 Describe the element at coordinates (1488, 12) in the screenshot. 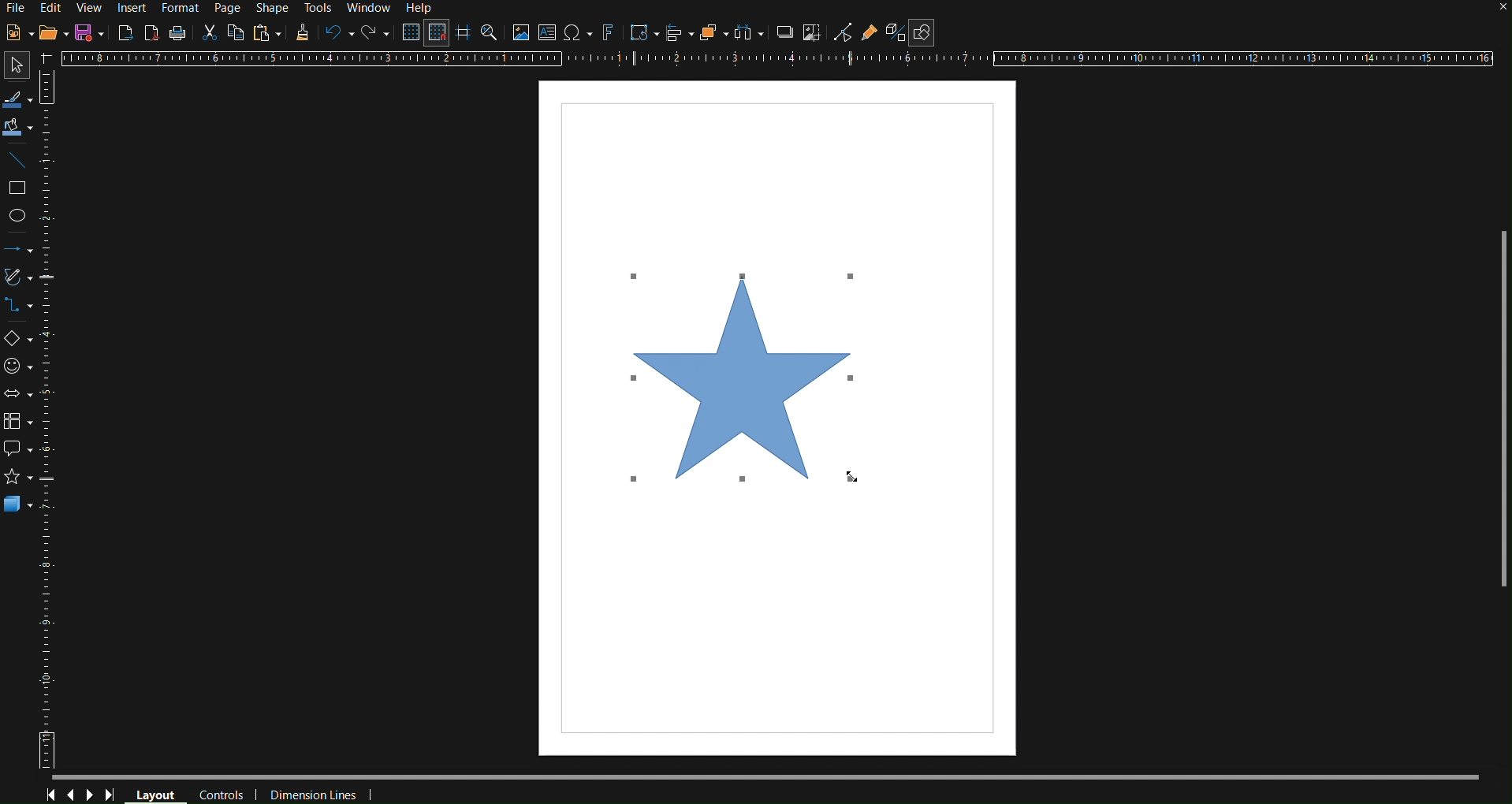

I see `close` at that location.